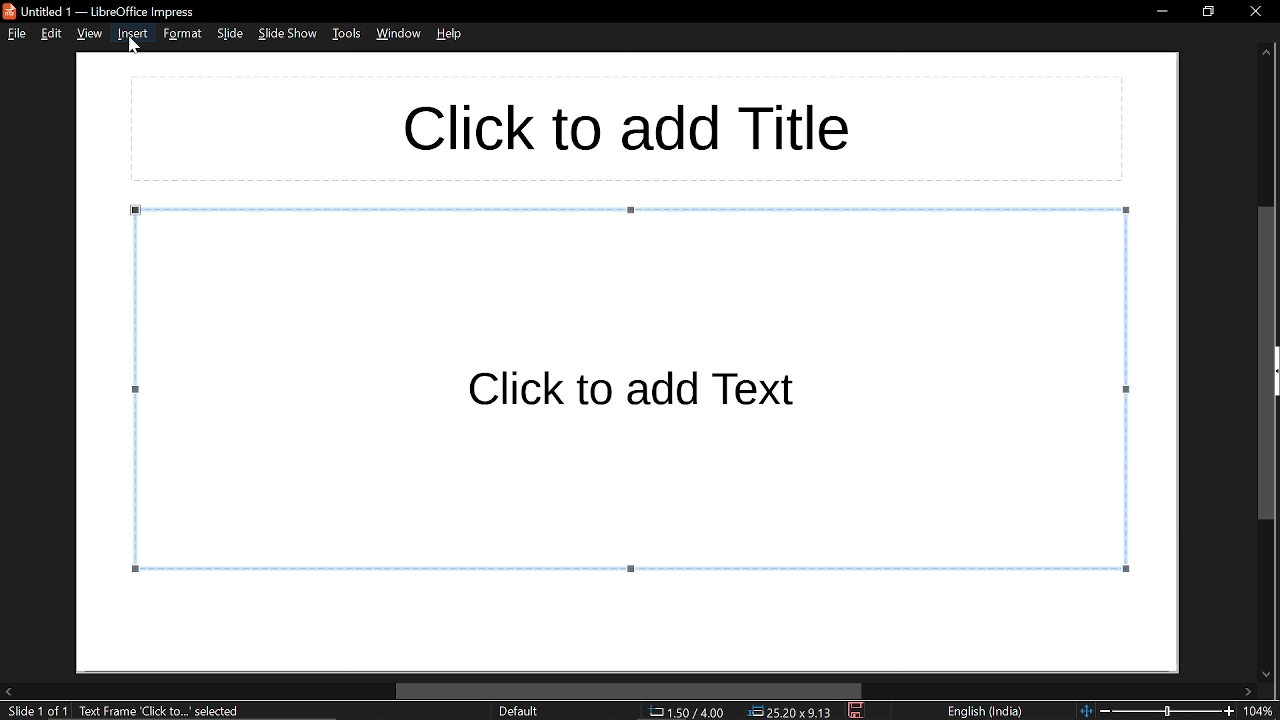 Image resolution: width=1280 pixels, height=720 pixels. I want to click on close, so click(1251, 14).